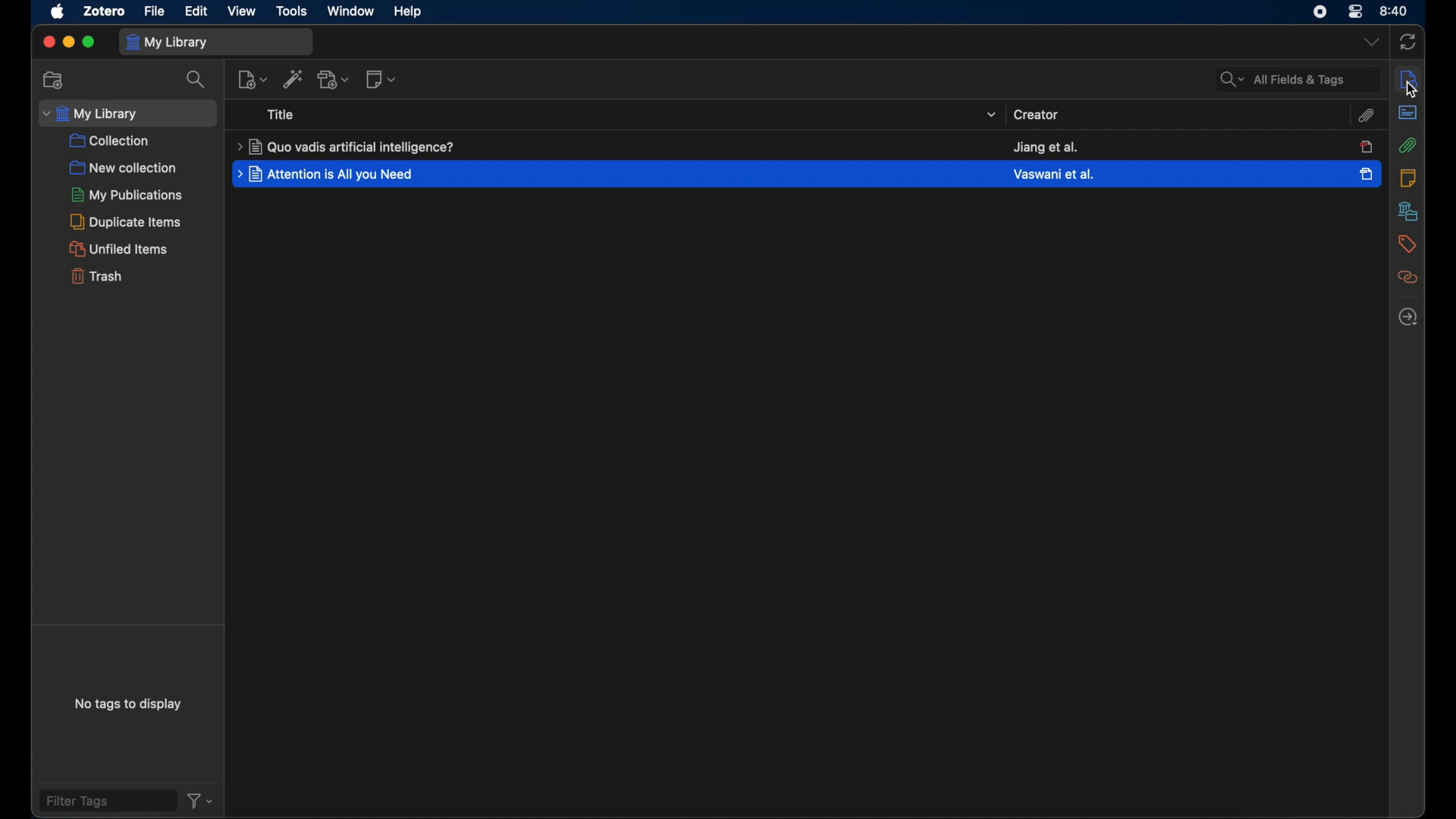 Image resolution: width=1456 pixels, height=819 pixels. Describe the element at coordinates (1357, 12) in the screenshot. I see `control center` at that location.